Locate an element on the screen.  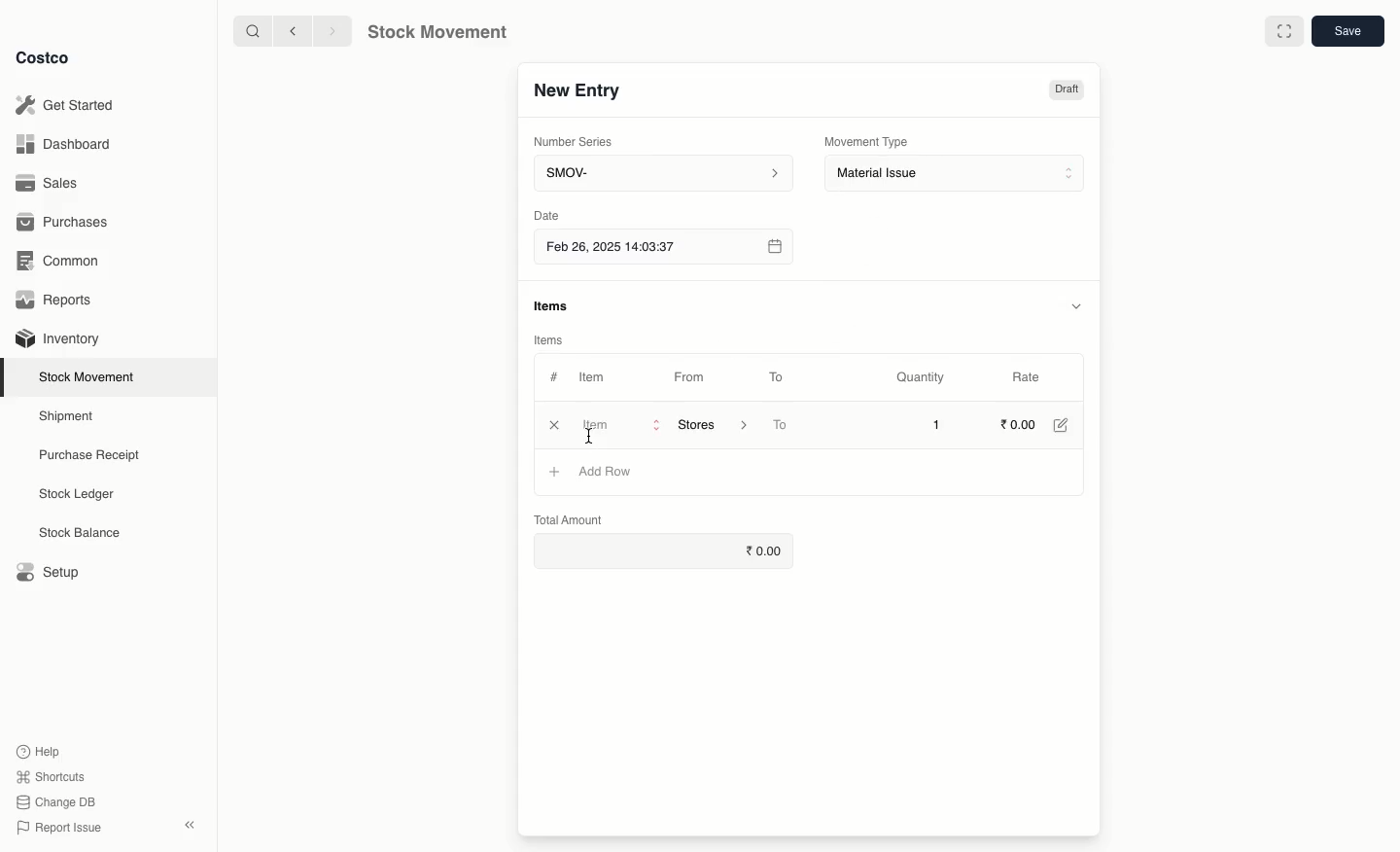
From is located at coordinates (696, 380).